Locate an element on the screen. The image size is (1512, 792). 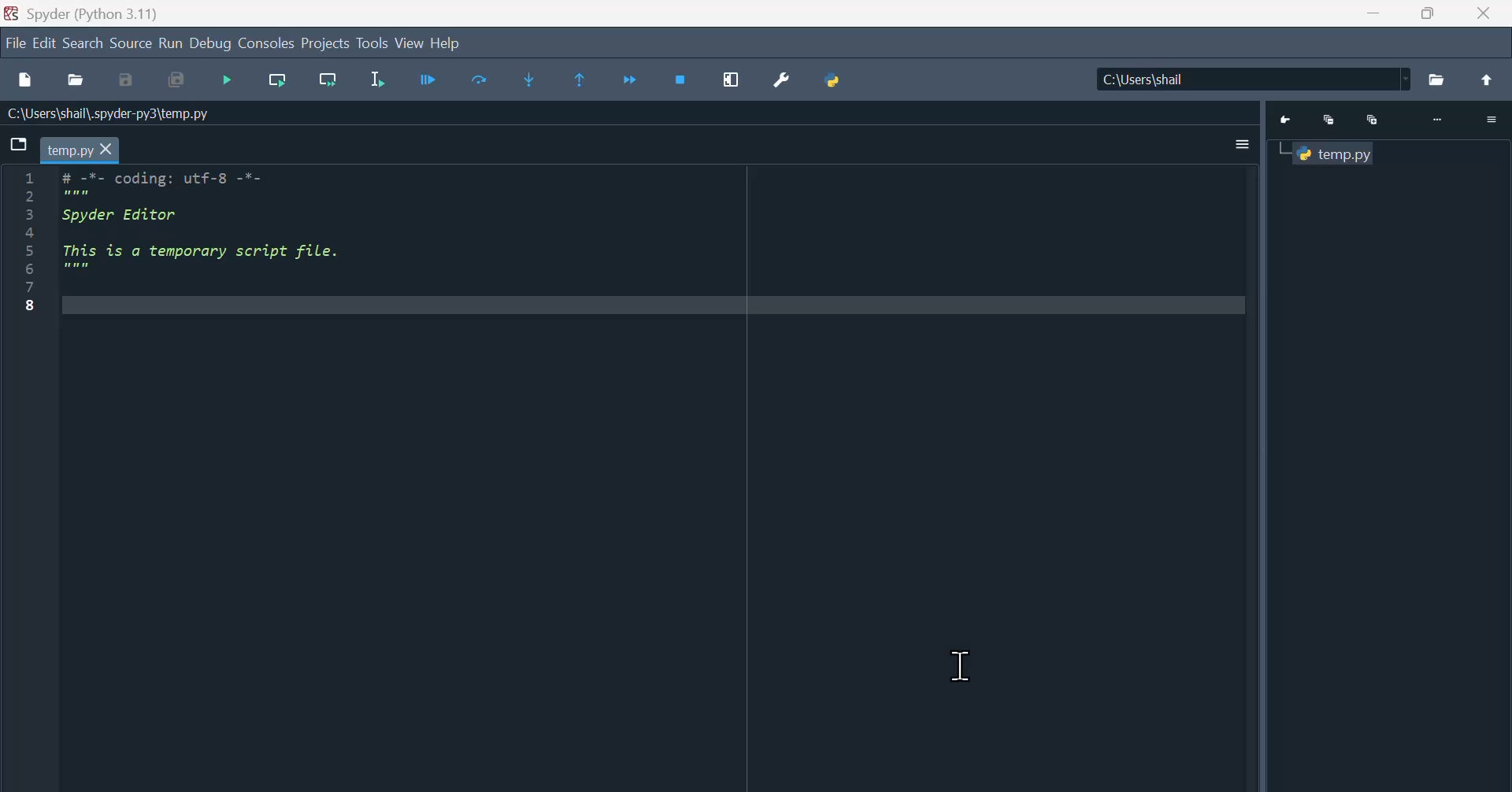
# -7- coding: utr-8 -"-
Spyder Editor
This is a temporary script file. is located at coordinates (218, 223).